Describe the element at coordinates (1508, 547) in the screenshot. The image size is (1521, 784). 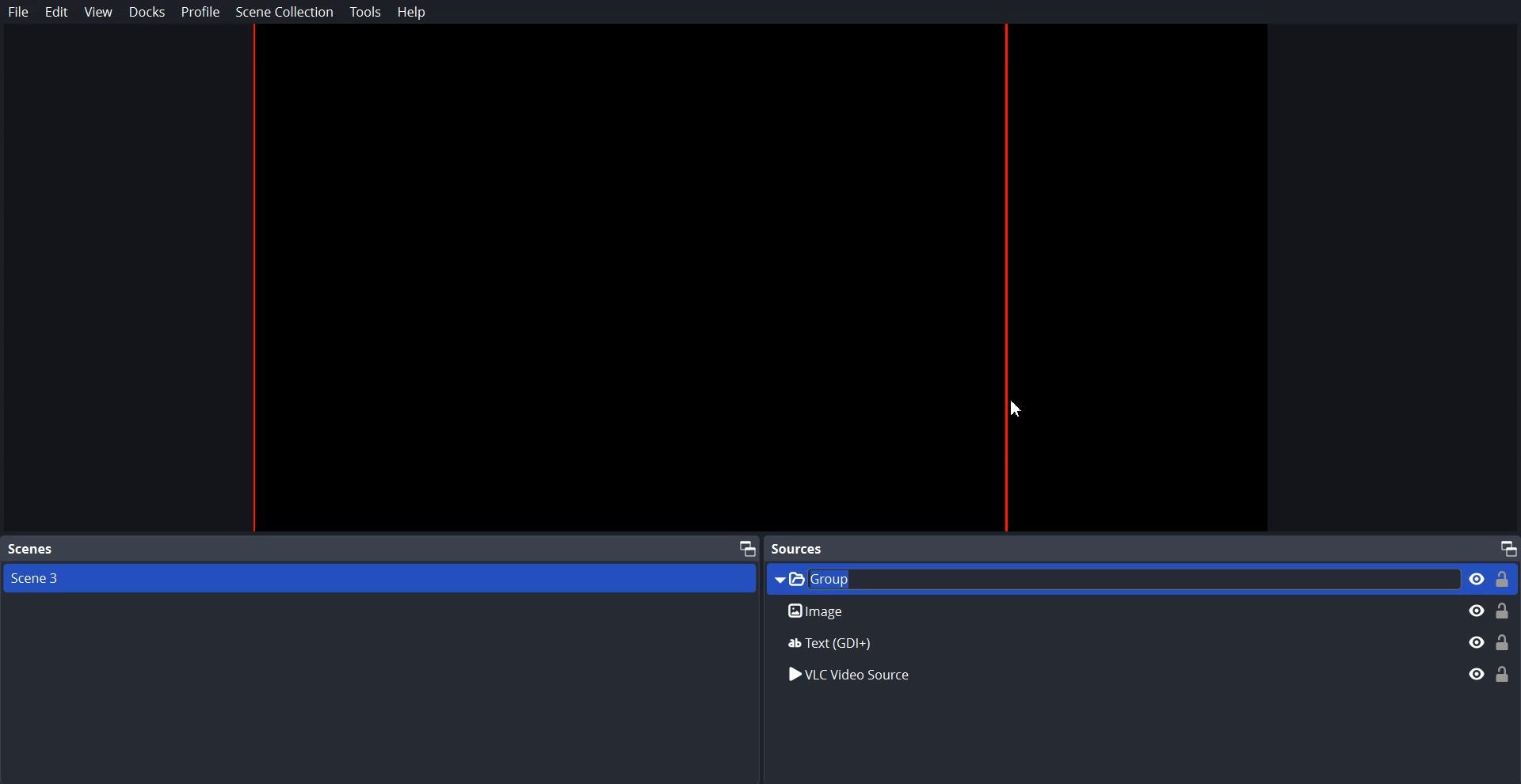
I see `Maximize` at that location.